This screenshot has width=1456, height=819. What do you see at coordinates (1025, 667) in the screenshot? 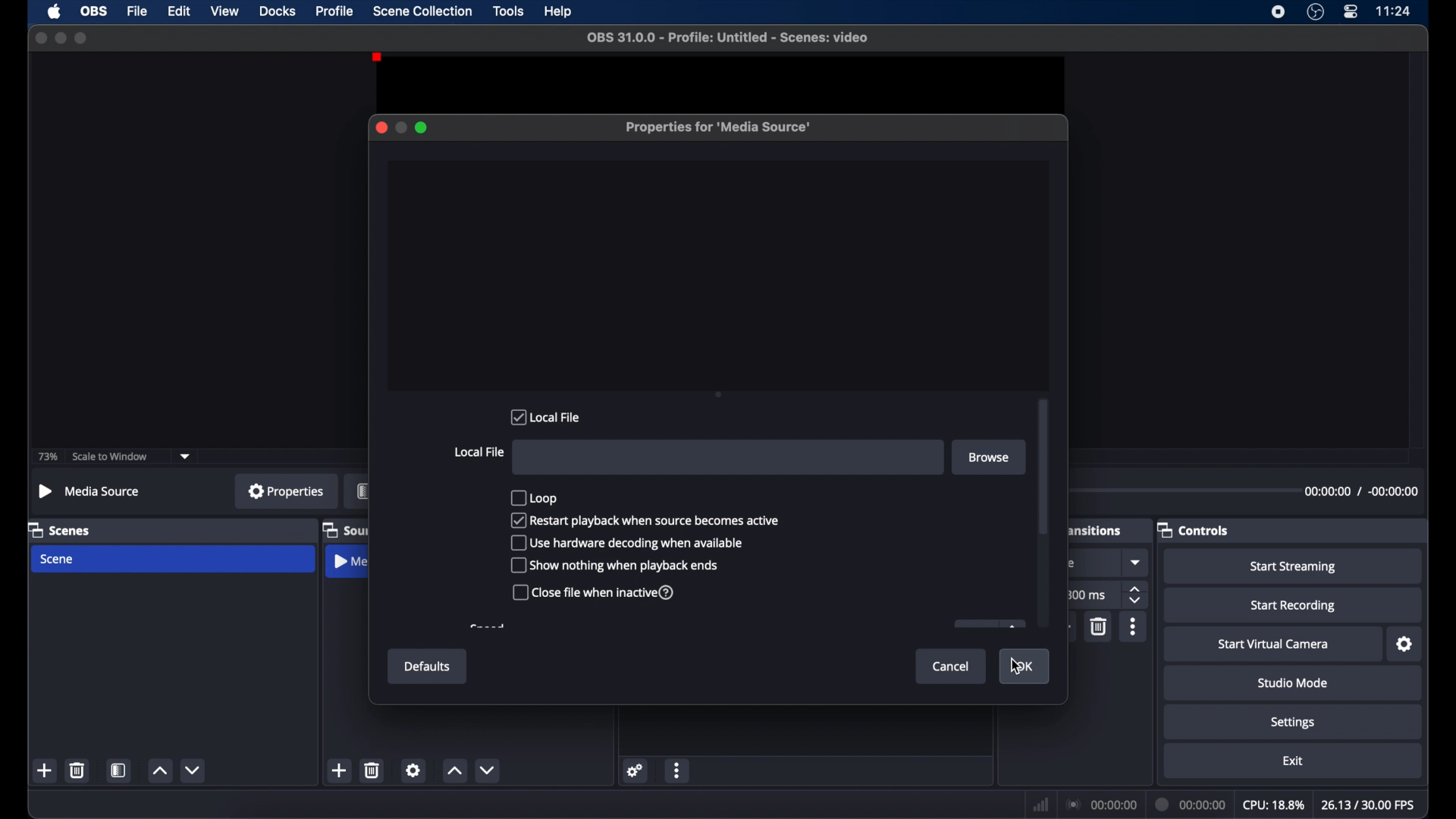
I see `ok` at bounding box center [1025, 667].